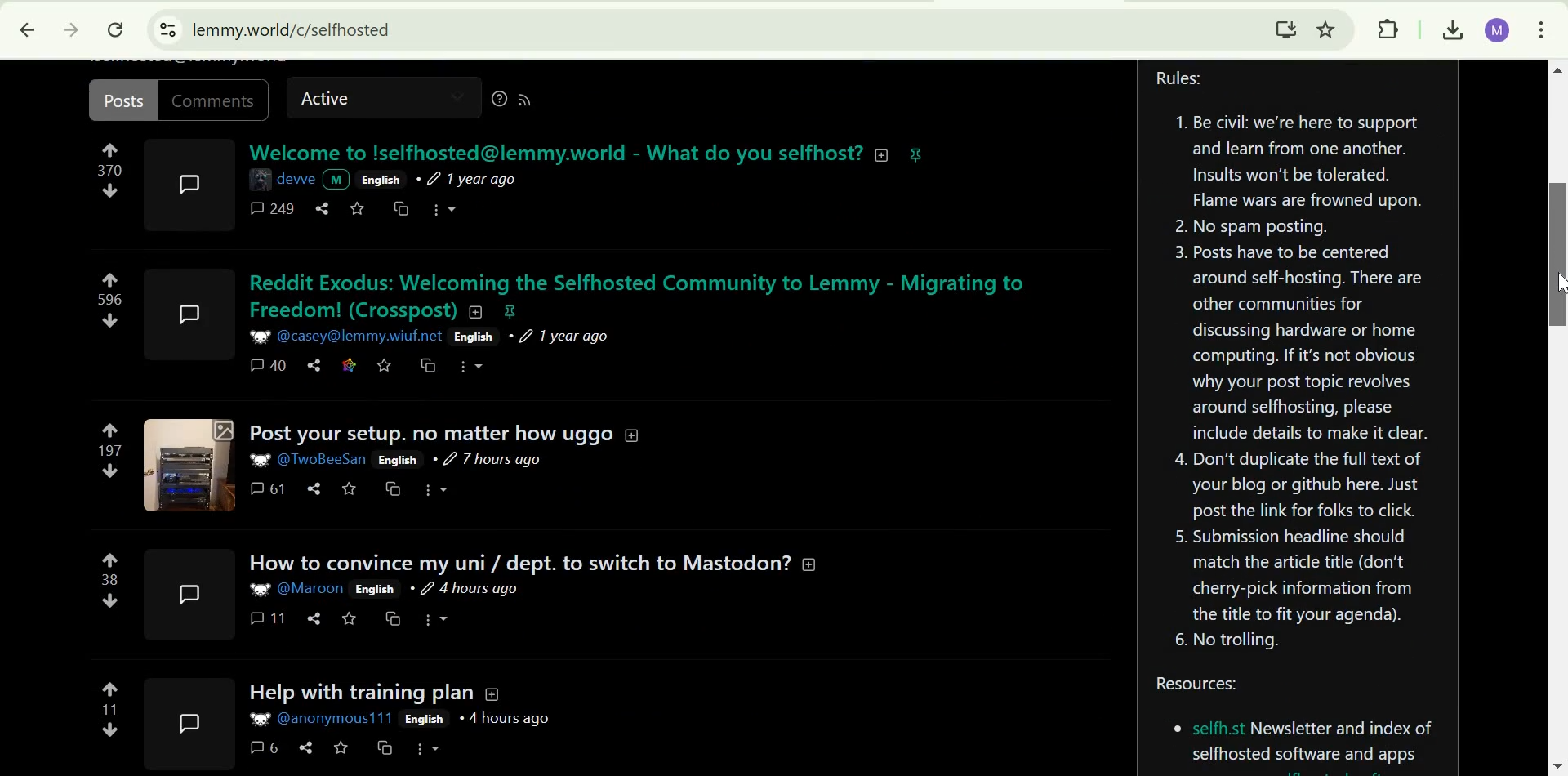  Describe the element at coordinates (350, 488) in the screenshot. I see `save` at that location.